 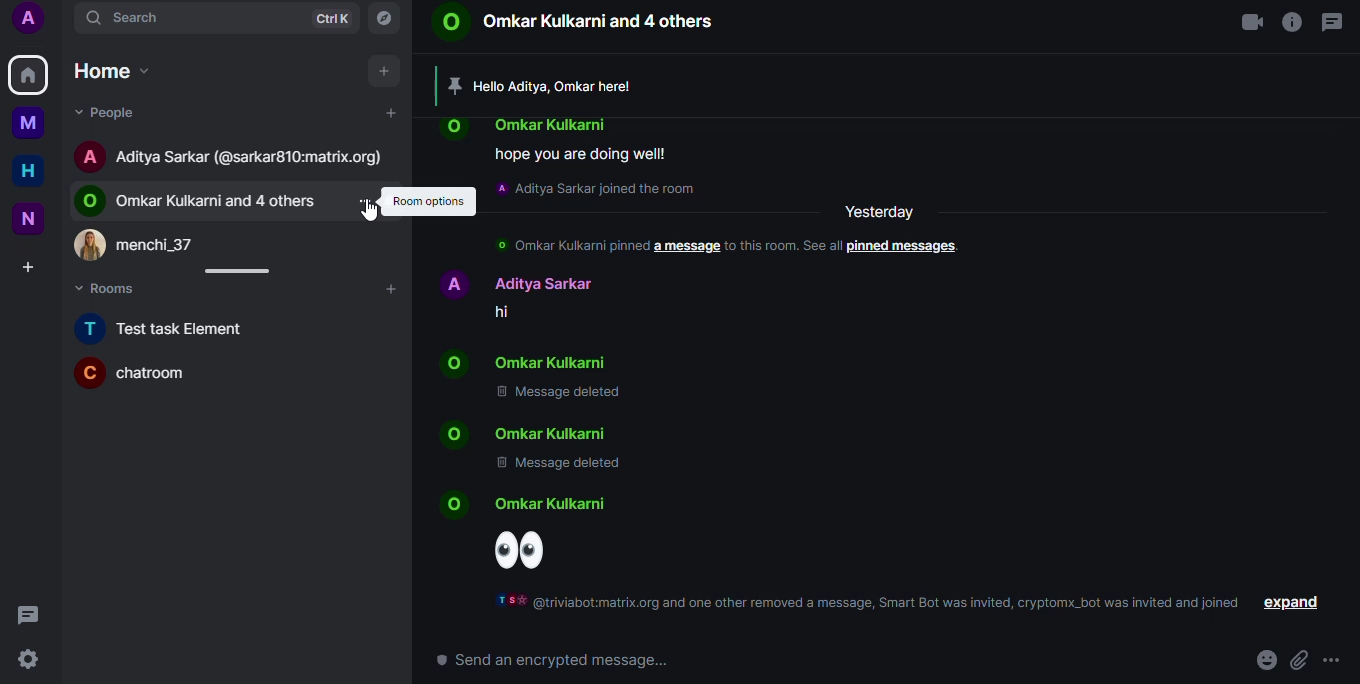 What do you see at coordinates (1298, 661) in the screenshot?
I see `attach` at bounding box center [1298, 661].